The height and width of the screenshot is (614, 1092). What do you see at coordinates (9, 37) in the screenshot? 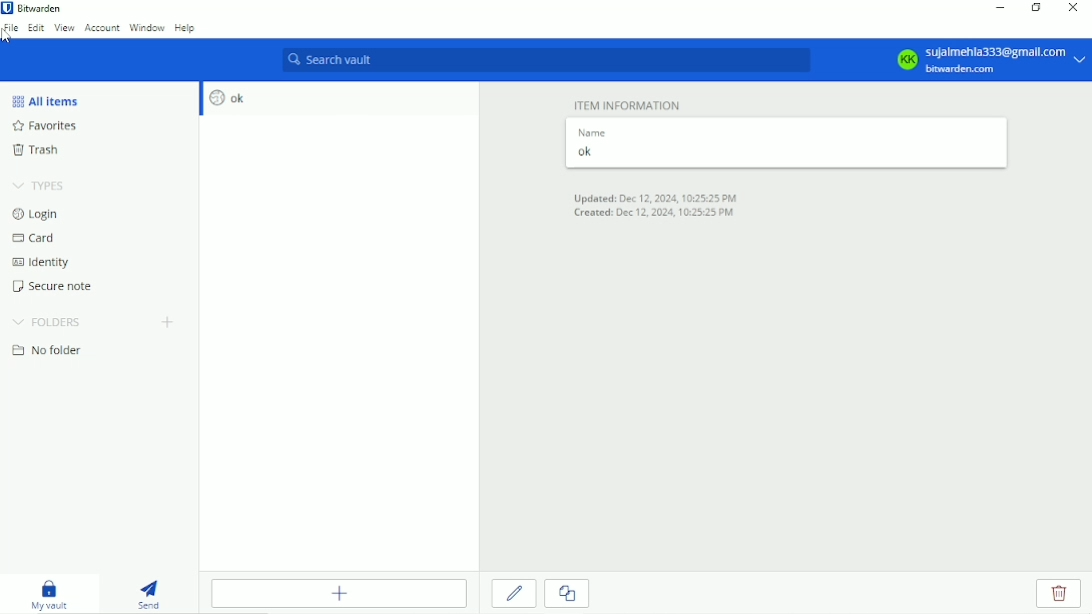
I see `Cursor` at bounding box center [9, 37].